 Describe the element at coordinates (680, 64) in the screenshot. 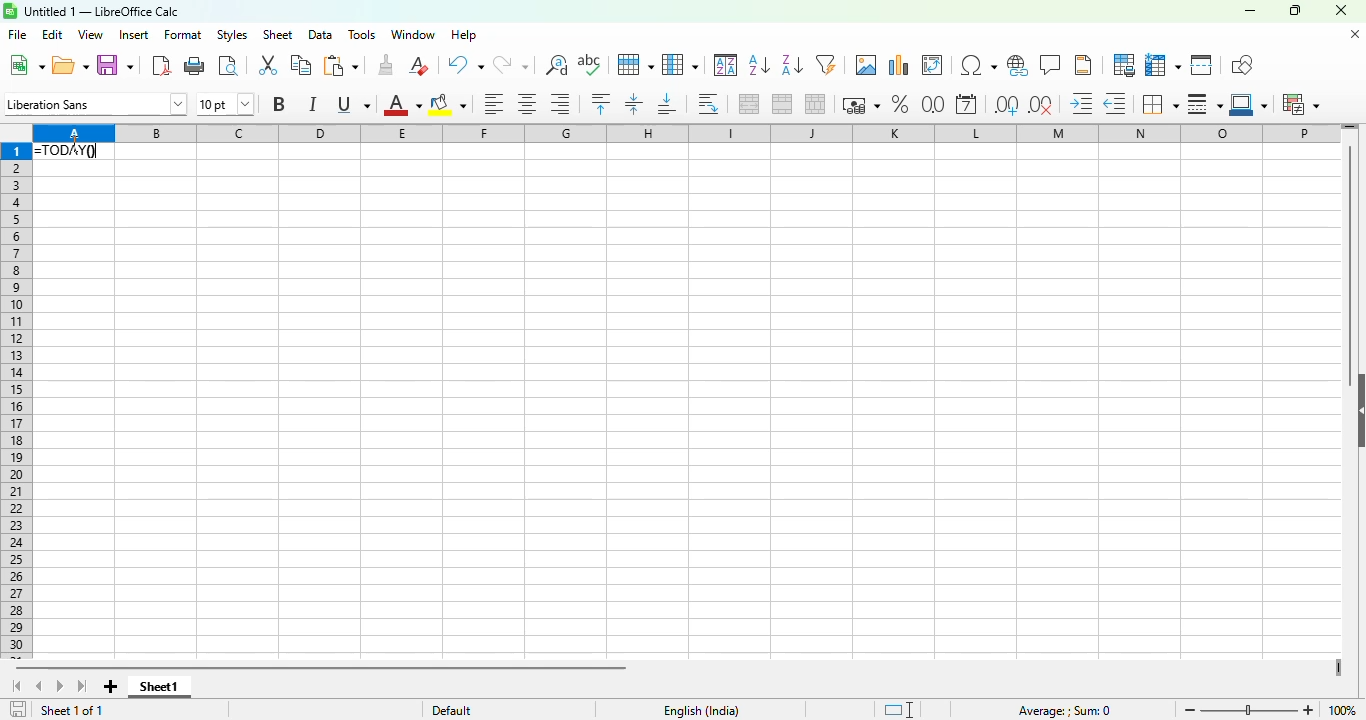

I see `column` at that location.